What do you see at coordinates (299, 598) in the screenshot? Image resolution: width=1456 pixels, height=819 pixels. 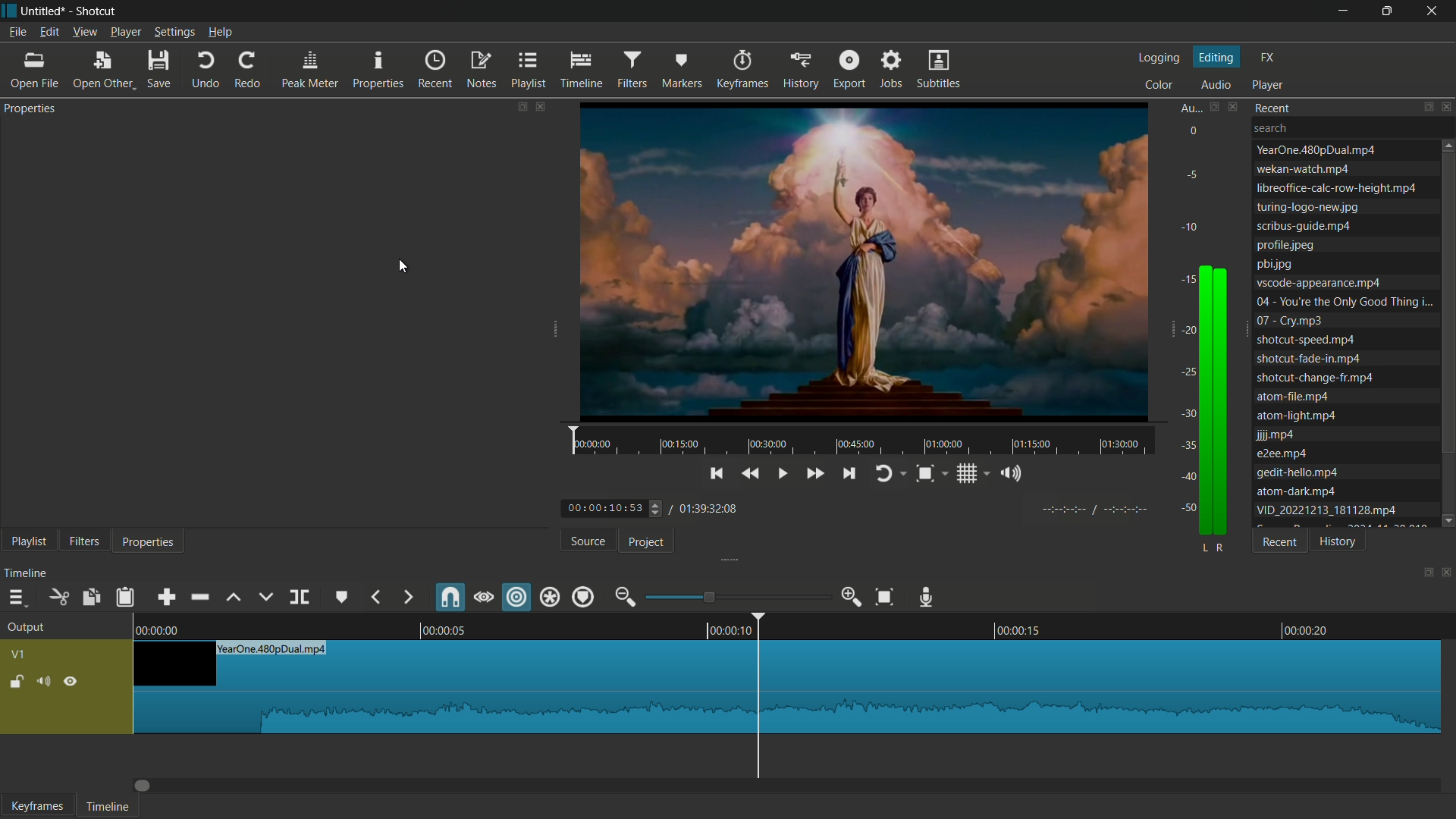 I see `split at playhead` at bounding box center [299, 598].